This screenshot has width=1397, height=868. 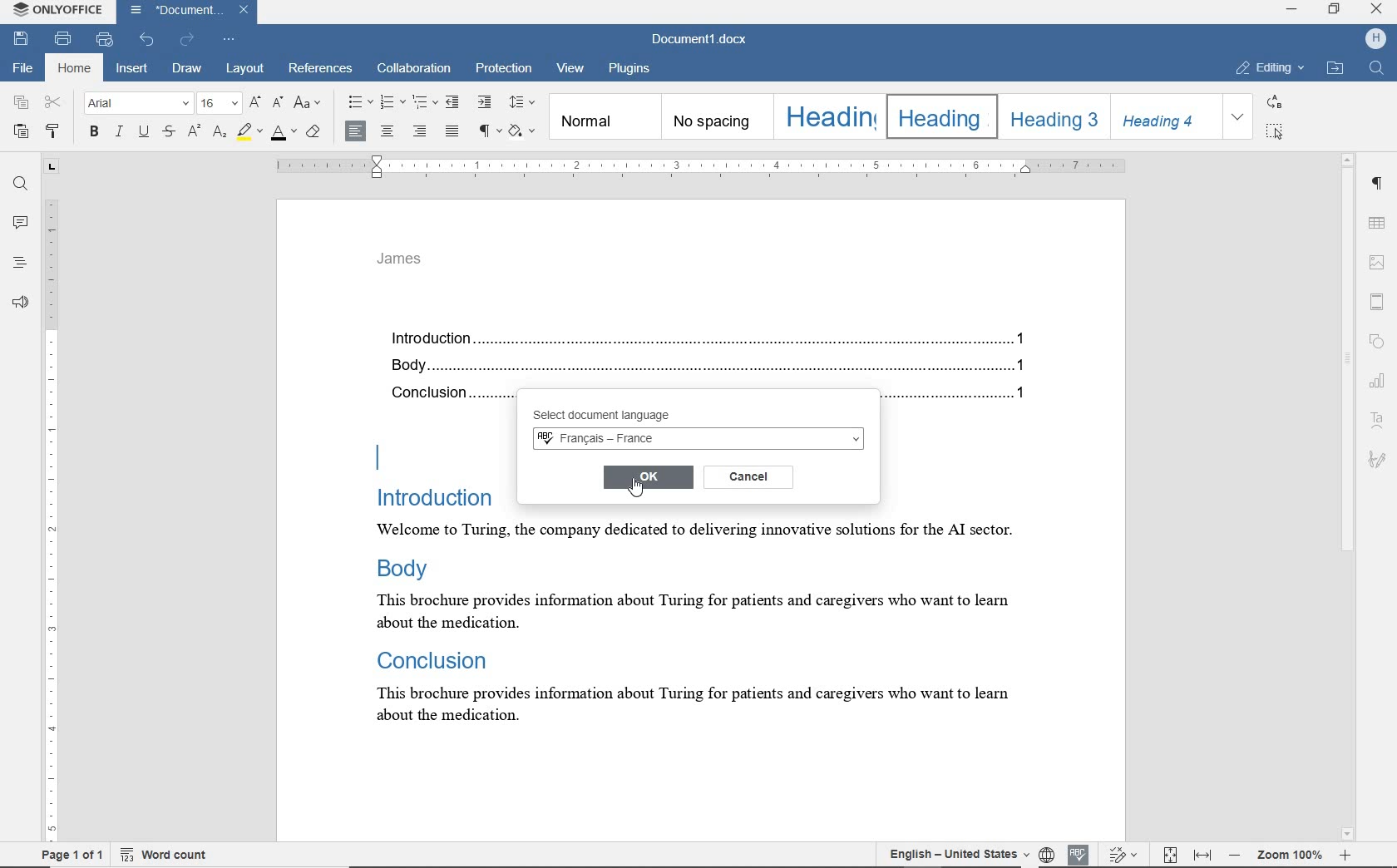 I want to click on undo, so click(x=148, y=38).